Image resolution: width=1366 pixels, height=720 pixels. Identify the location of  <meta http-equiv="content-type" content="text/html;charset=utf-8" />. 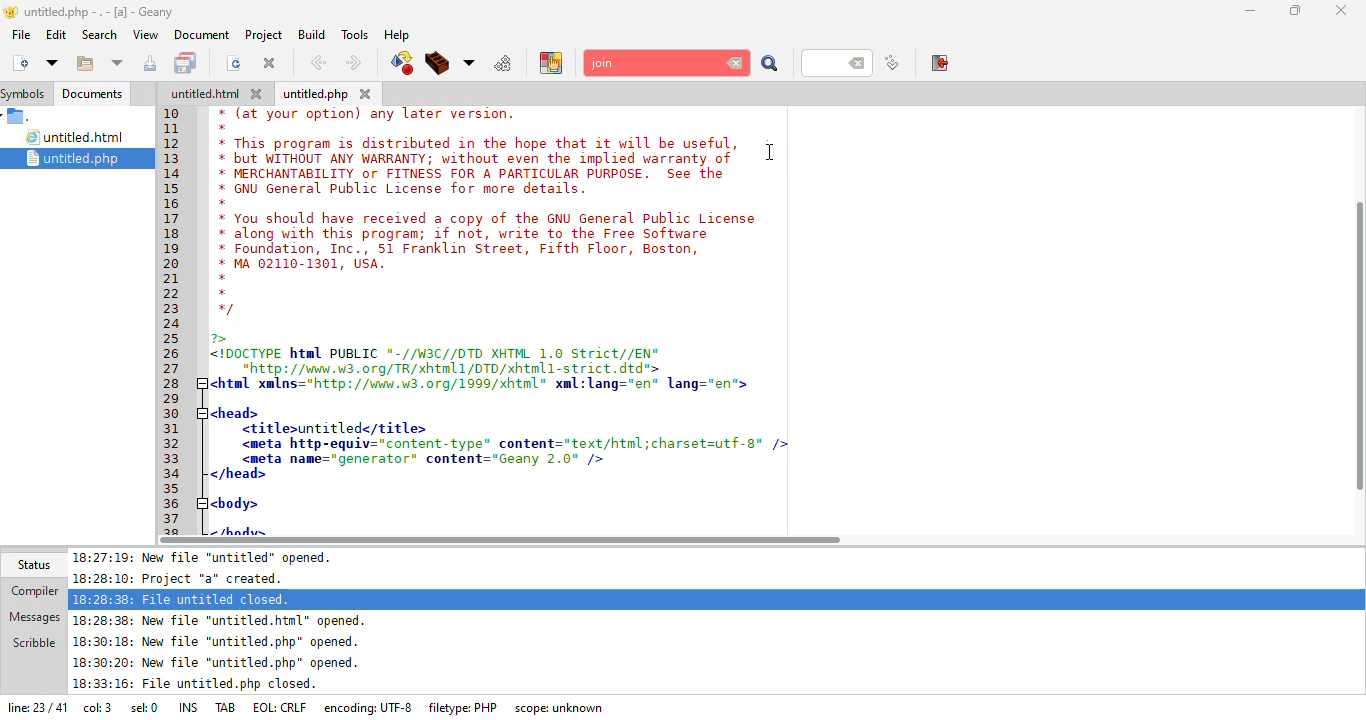
(513, 443).